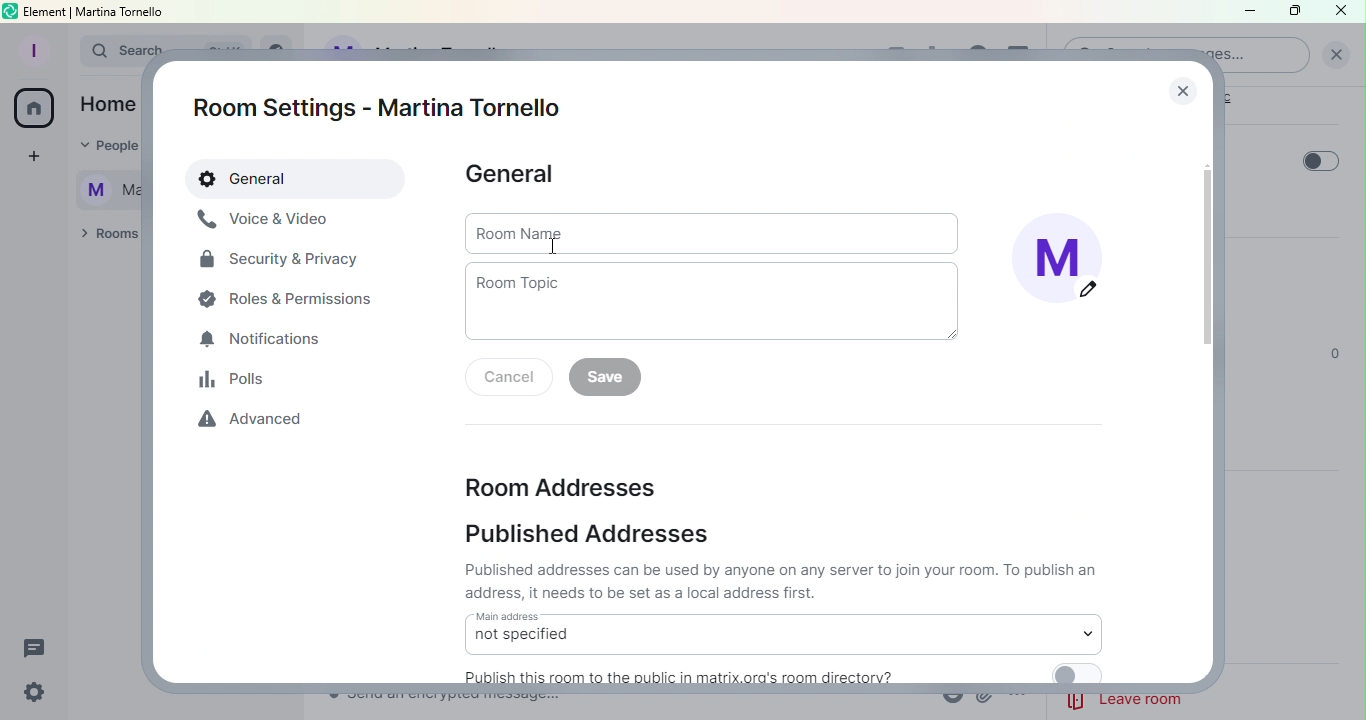 The height and width of the screenshot is (720, 1366). What do you see at coordinates (34, 111) in the screenshot?
I see `Home` at bounding box center [34, 111].